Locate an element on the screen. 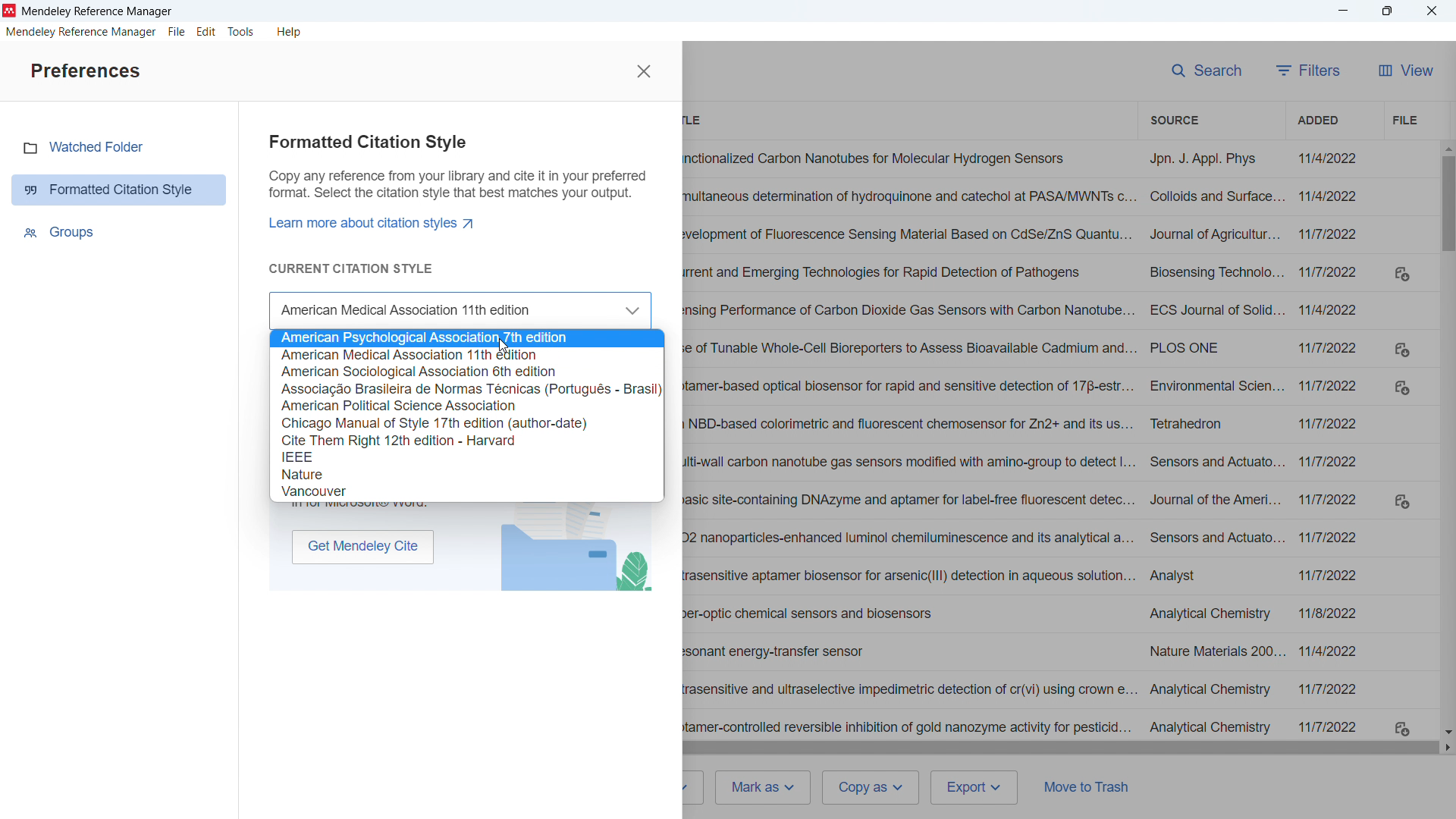 The width and height of the screenshot is (1456, 819). Export  is located at coordinates (975, 788).